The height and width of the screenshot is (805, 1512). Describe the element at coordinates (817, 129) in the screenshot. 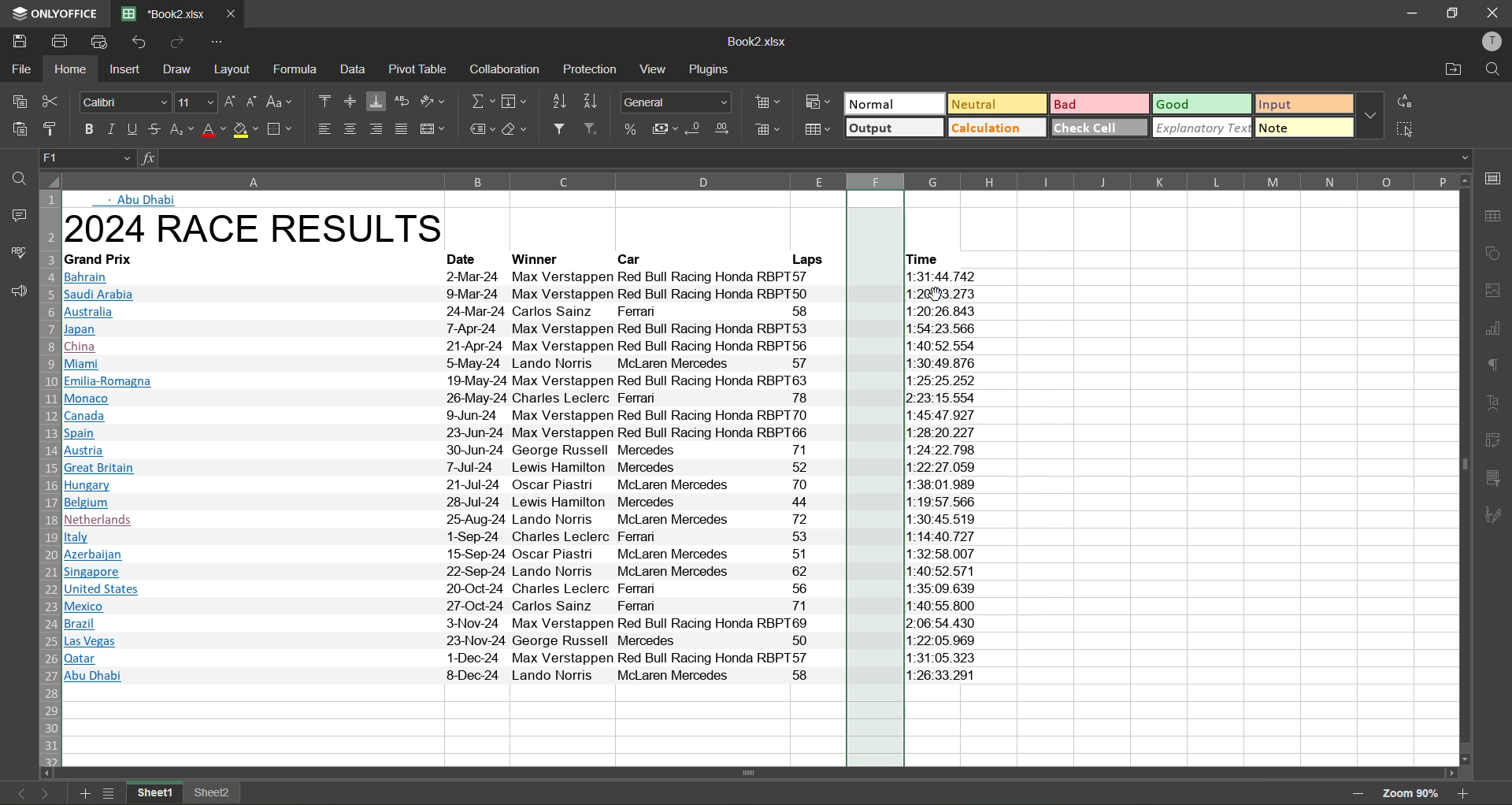

I see `format as table` at that location.